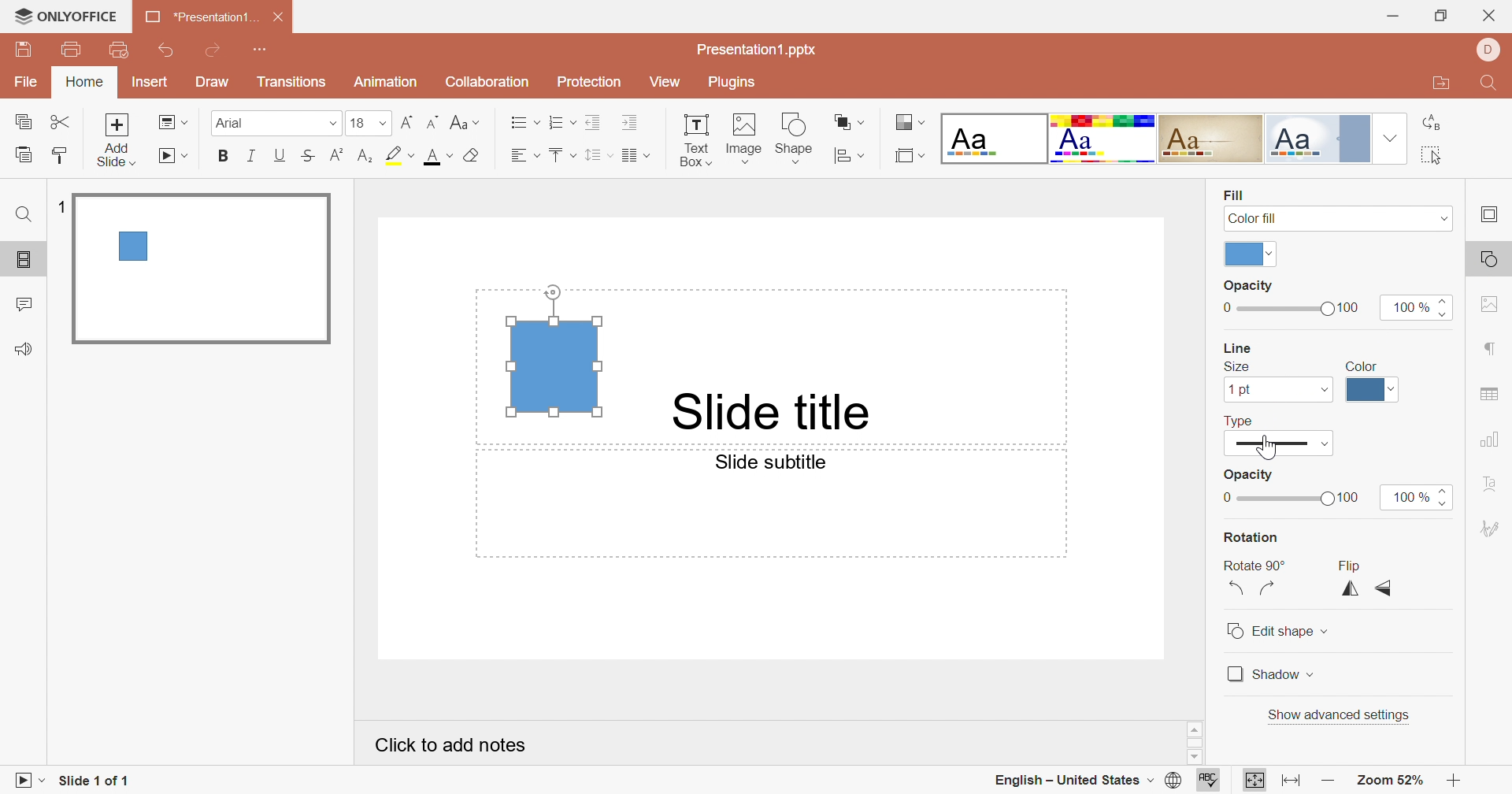  What do you see at coordinates (628, 122) in the screenshot?
I see `Increase Indent` at bounding box center [628, 122].